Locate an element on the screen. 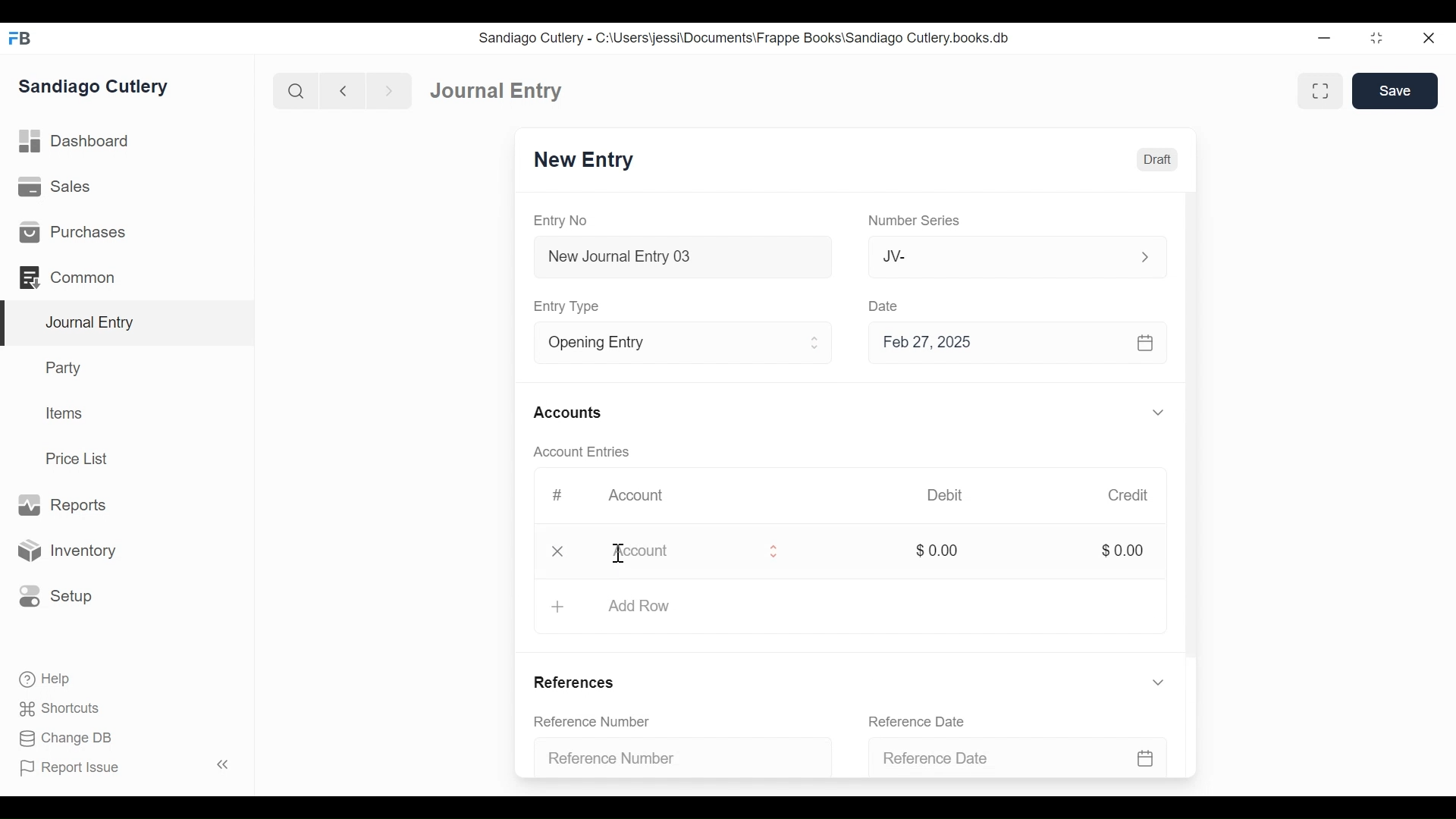 Image resolution: width=1456 pixels, height=819 pixels. References is located at coordinates (580, 680).